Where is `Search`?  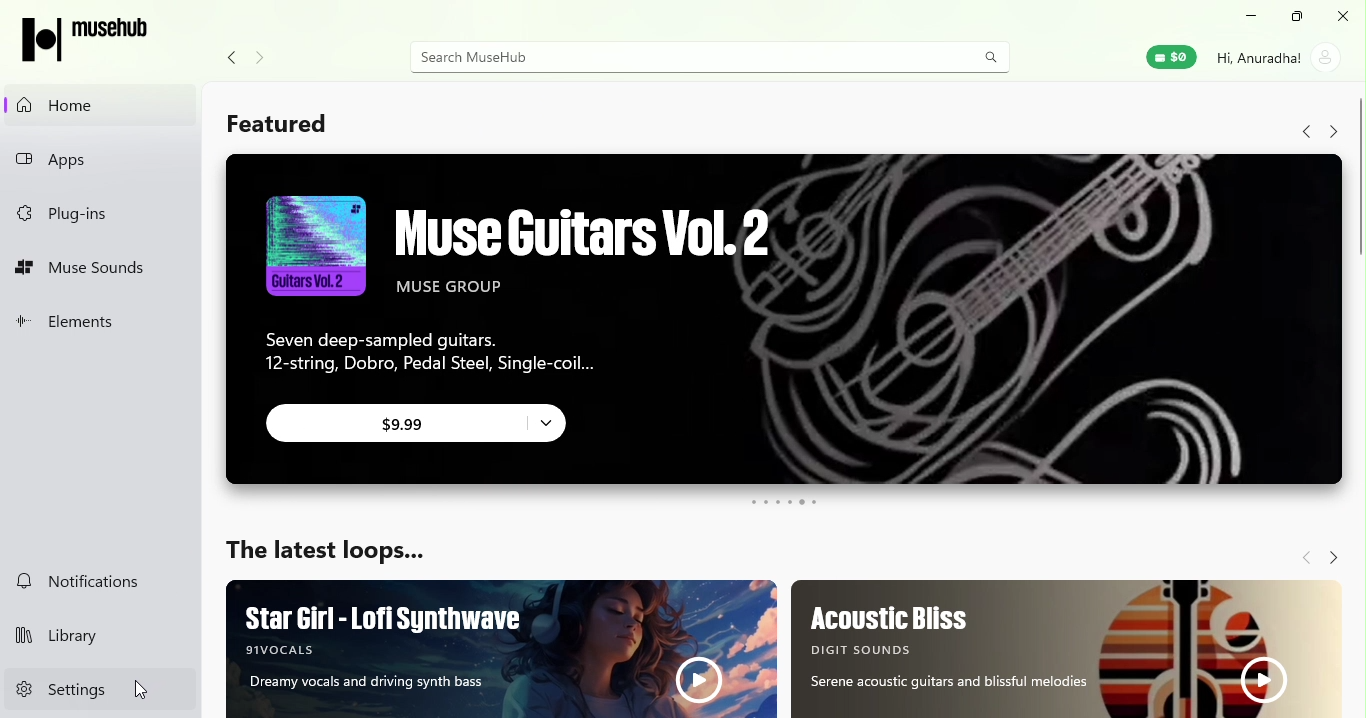 Search is located at coordinates (991, 56).